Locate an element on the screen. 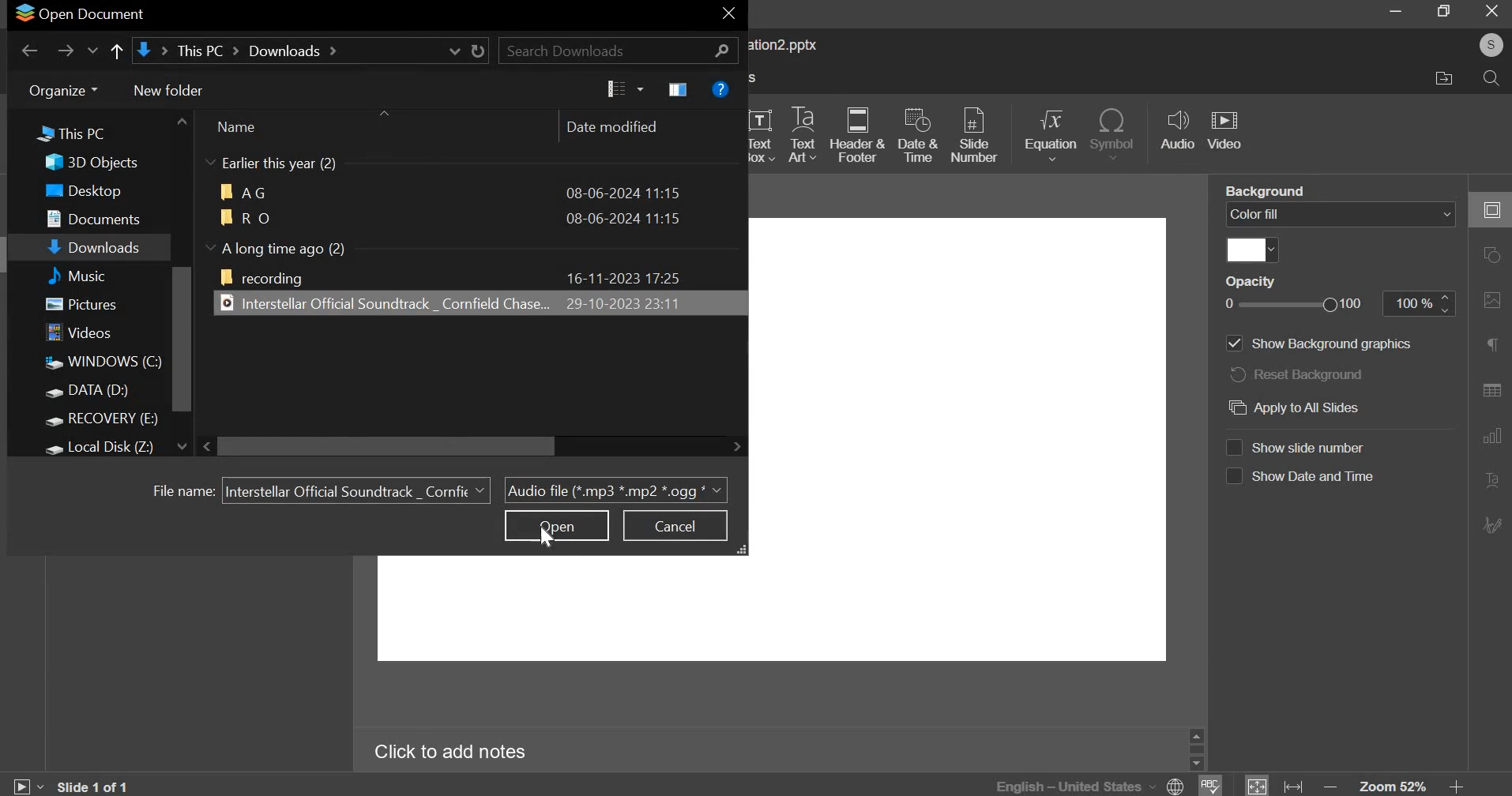 The height and width of the screenshot is (796, 1512). recent locations is located at coordinates (92, 50).